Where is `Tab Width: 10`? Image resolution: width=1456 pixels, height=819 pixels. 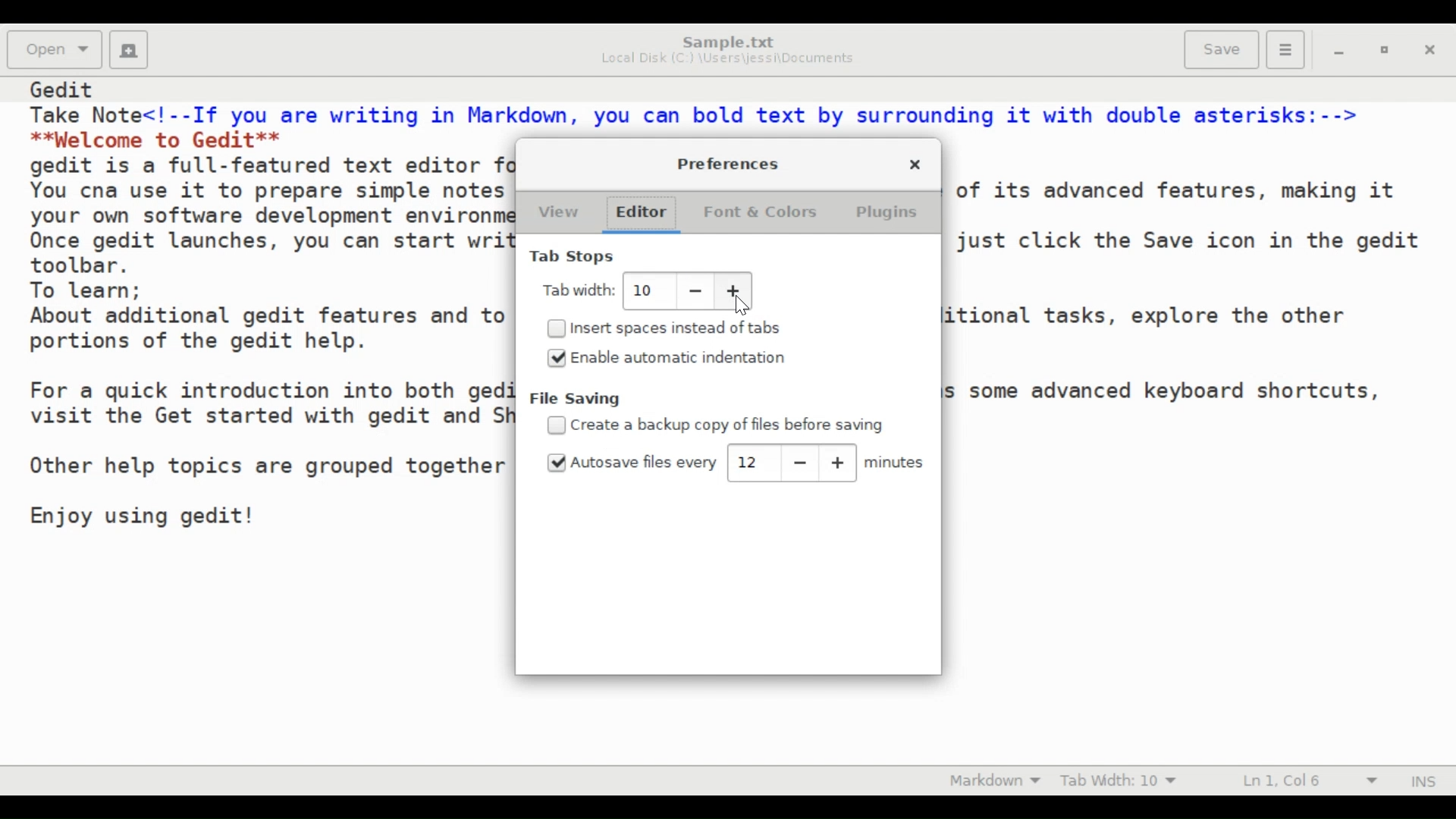 Tab Width: 10 is located at coordinates (1126, 780).